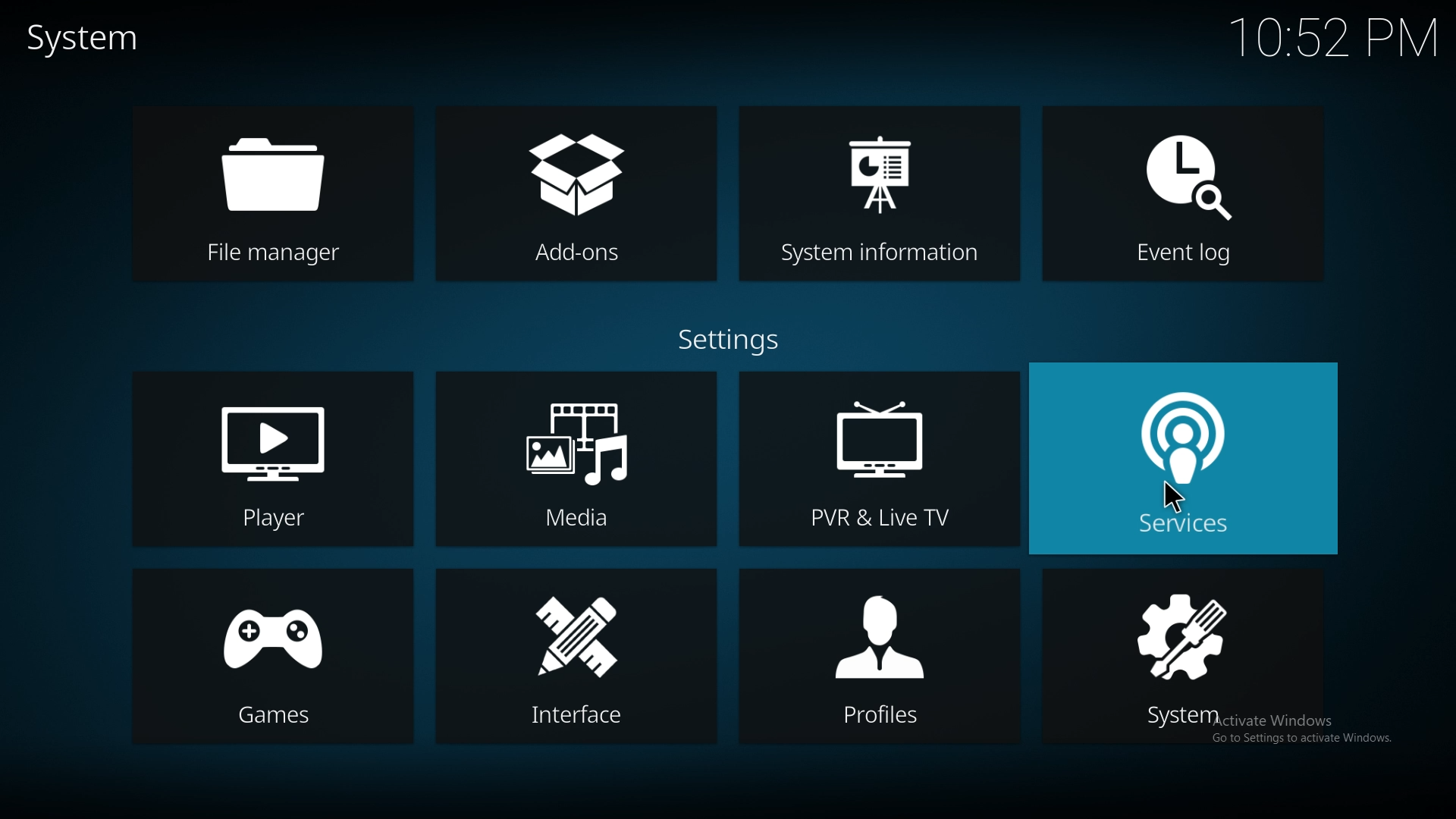  Describe the element at coordinates (1185, 193) in the screenshot. I see `event log` at that location.